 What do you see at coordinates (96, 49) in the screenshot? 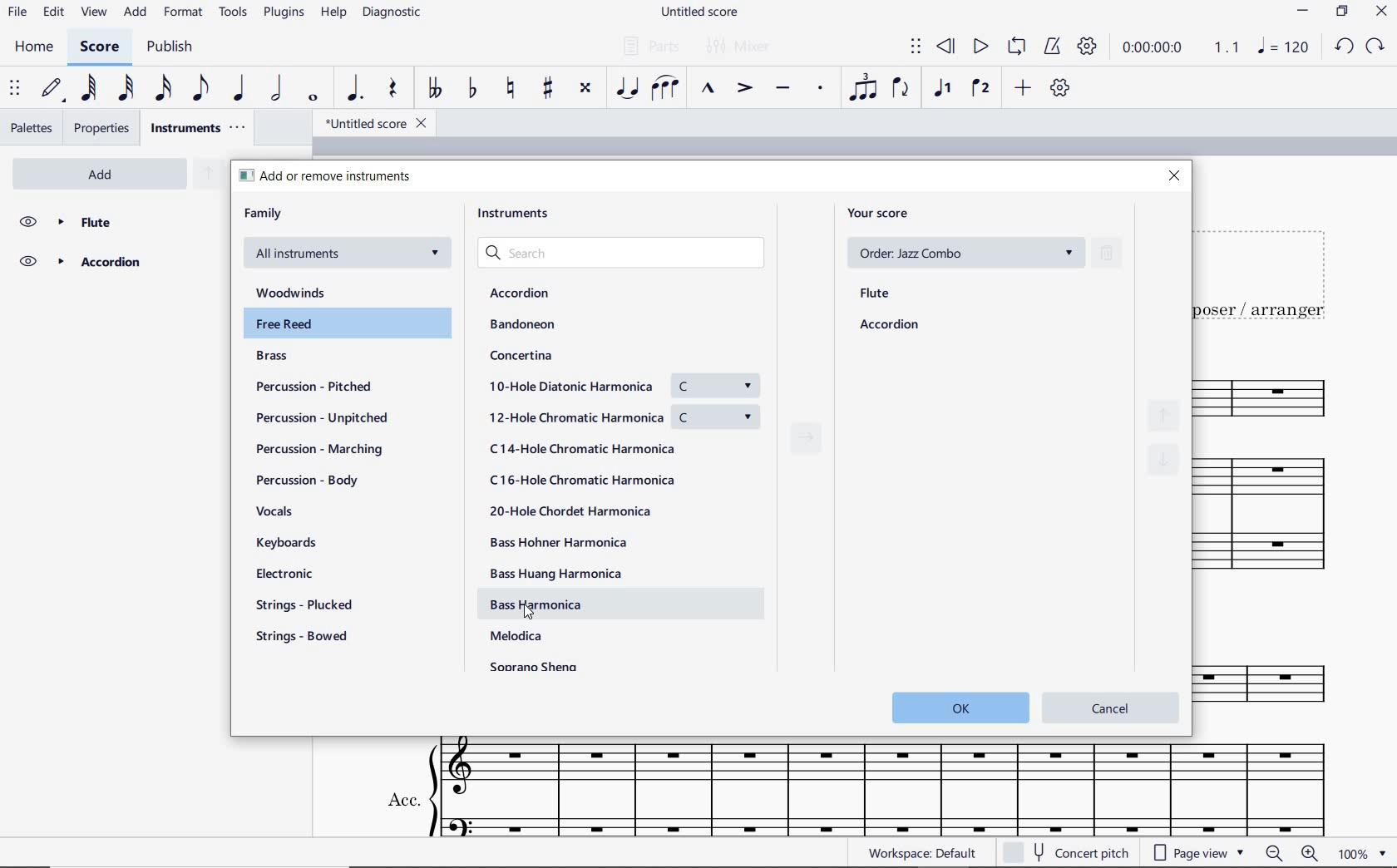
I see `SCORE` at bounding box center [96, 49].